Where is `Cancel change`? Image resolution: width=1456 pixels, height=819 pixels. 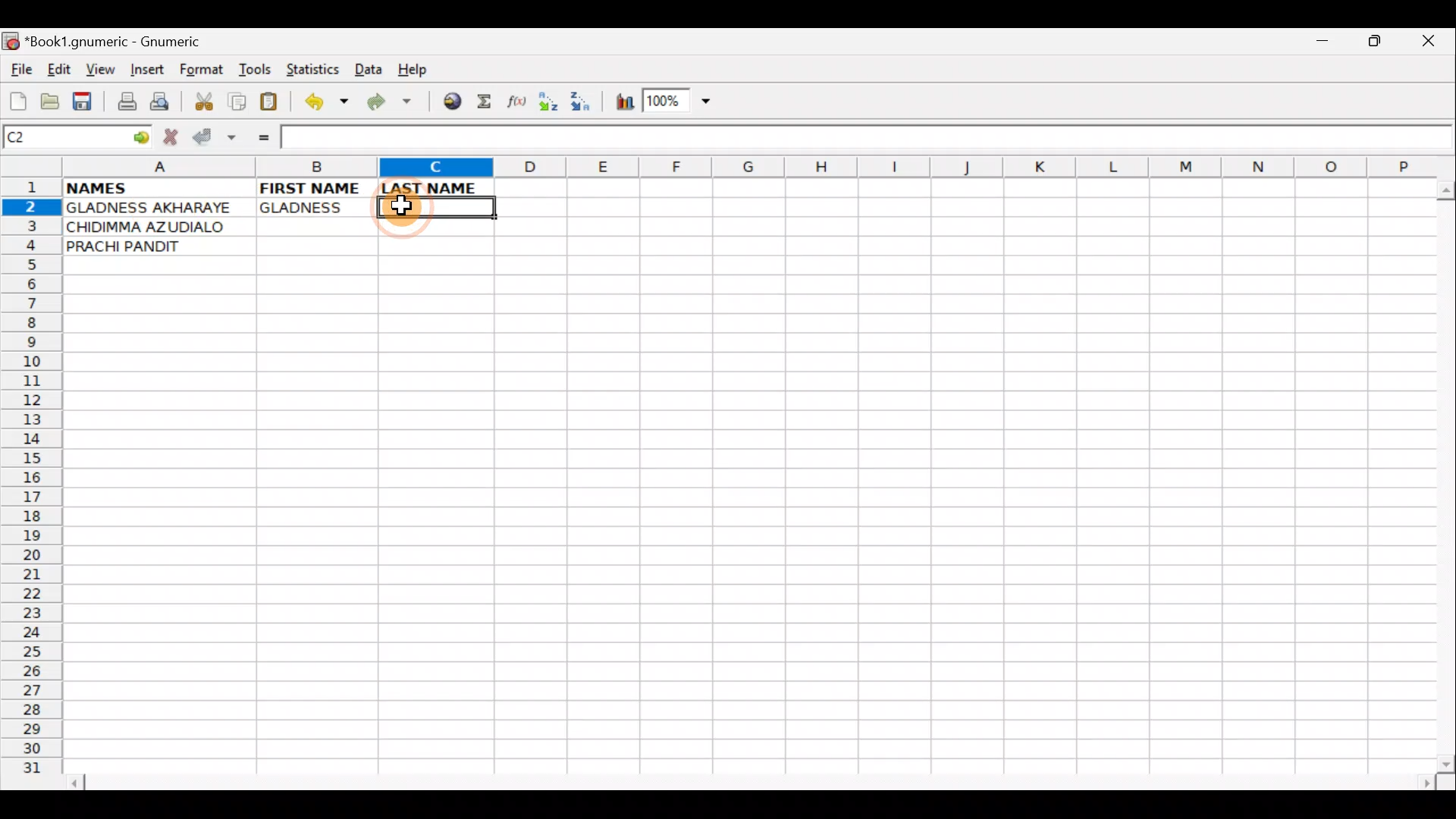 Cancel change is located at coordinates (174, 134).